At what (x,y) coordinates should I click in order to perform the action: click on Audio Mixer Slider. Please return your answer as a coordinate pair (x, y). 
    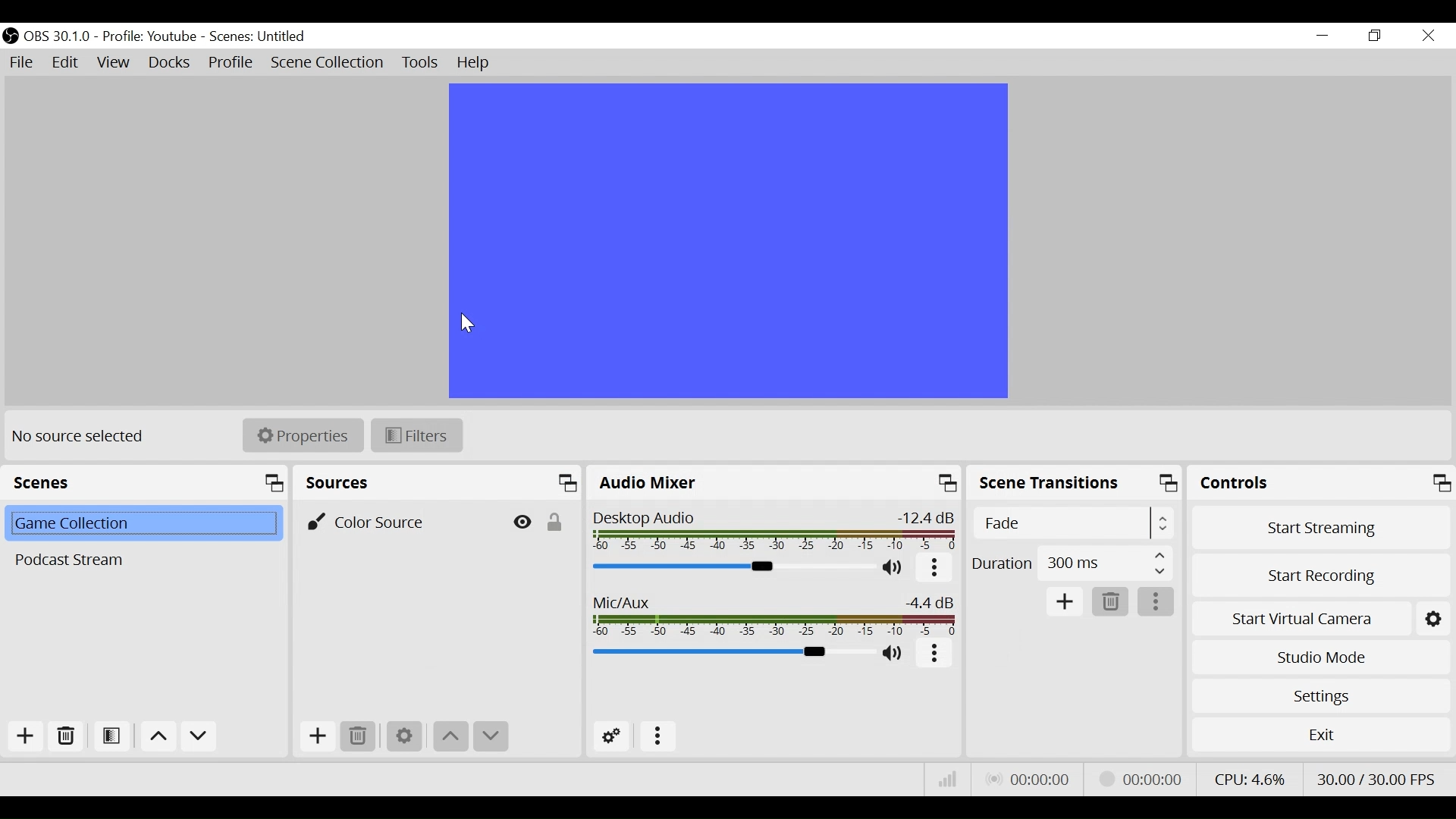
    Looking at the image, I should click on (731, 567).